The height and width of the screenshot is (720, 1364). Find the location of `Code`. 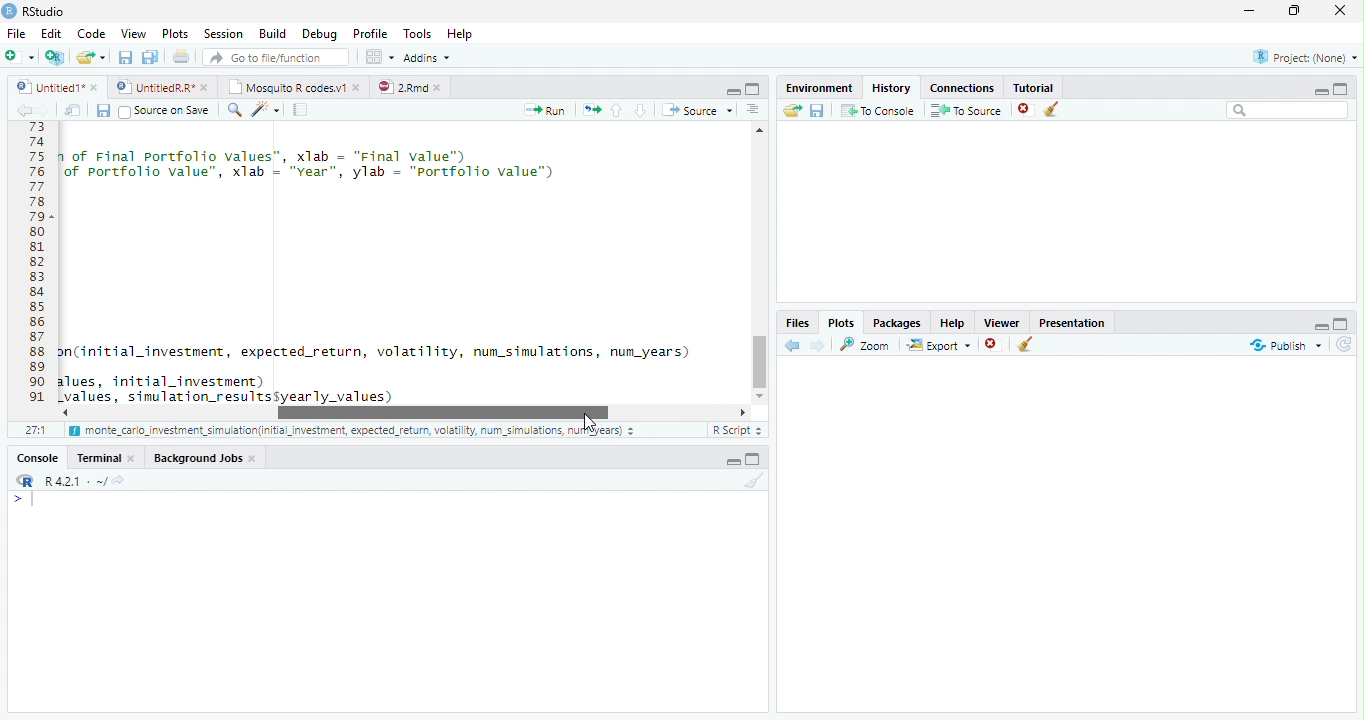

Code is located at coordinates (89, 33).